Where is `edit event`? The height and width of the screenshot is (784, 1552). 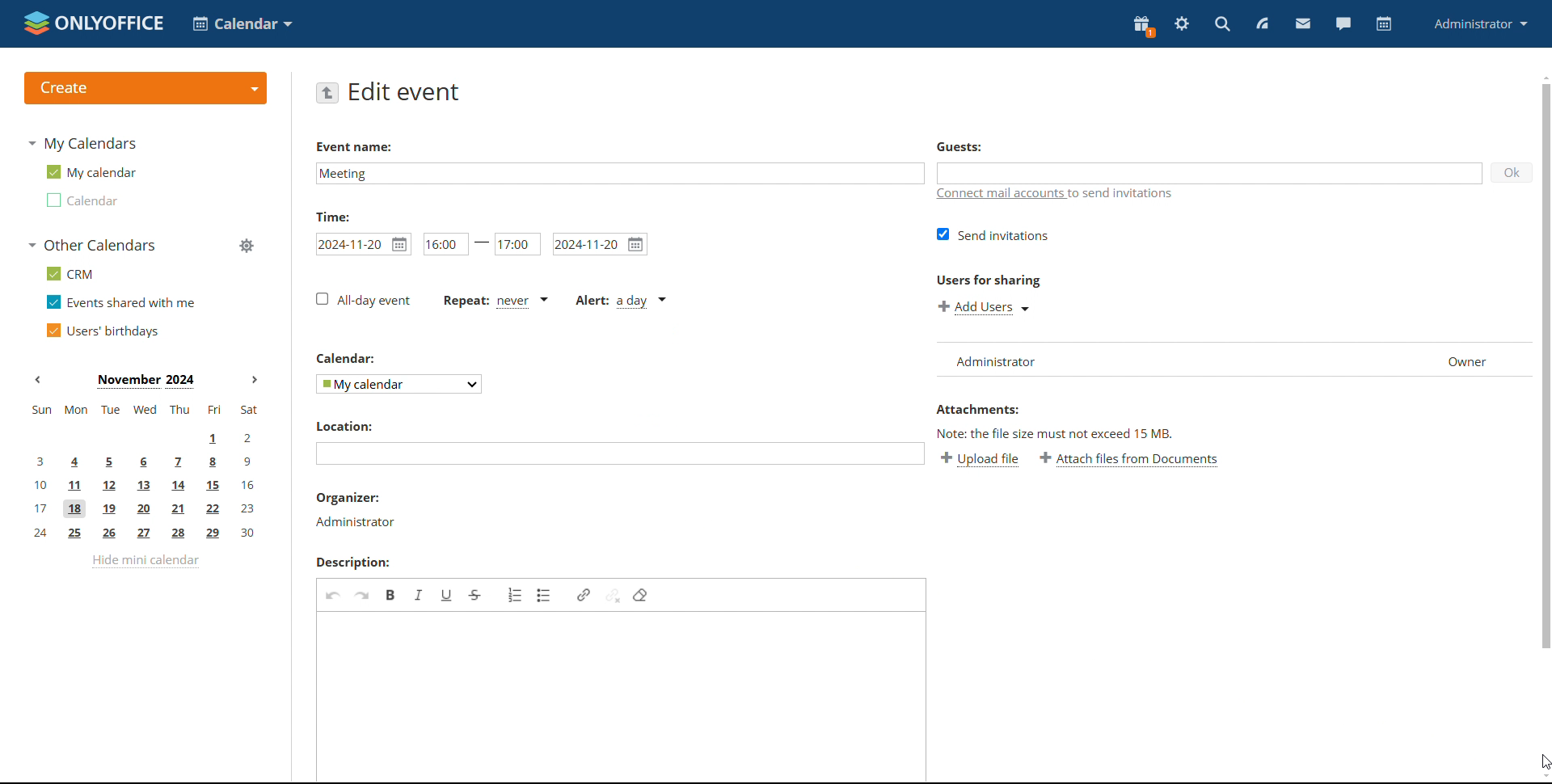
edit event is located at coordinates (404, 93).